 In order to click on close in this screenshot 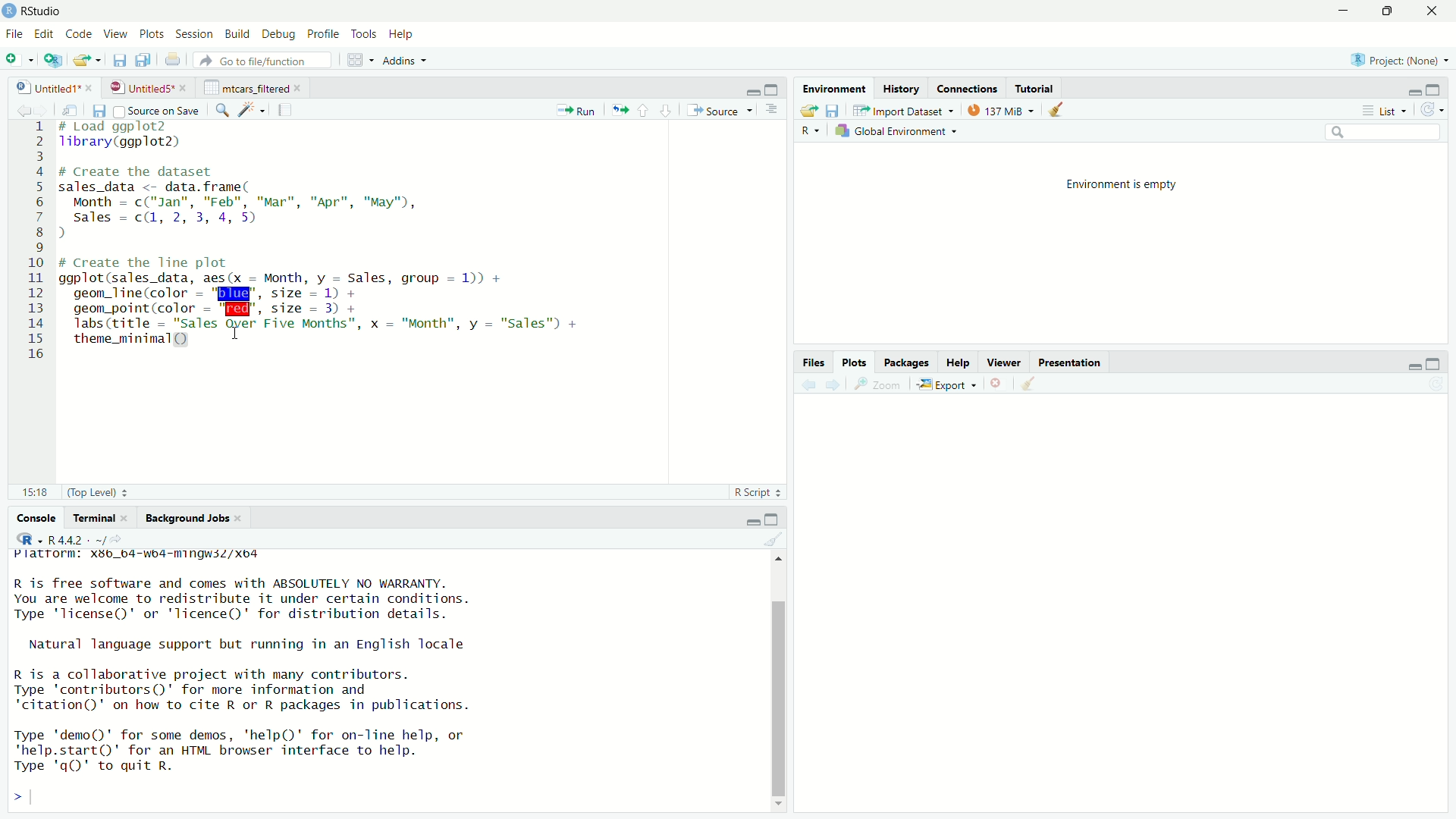, I will do `click(185, 88)`.